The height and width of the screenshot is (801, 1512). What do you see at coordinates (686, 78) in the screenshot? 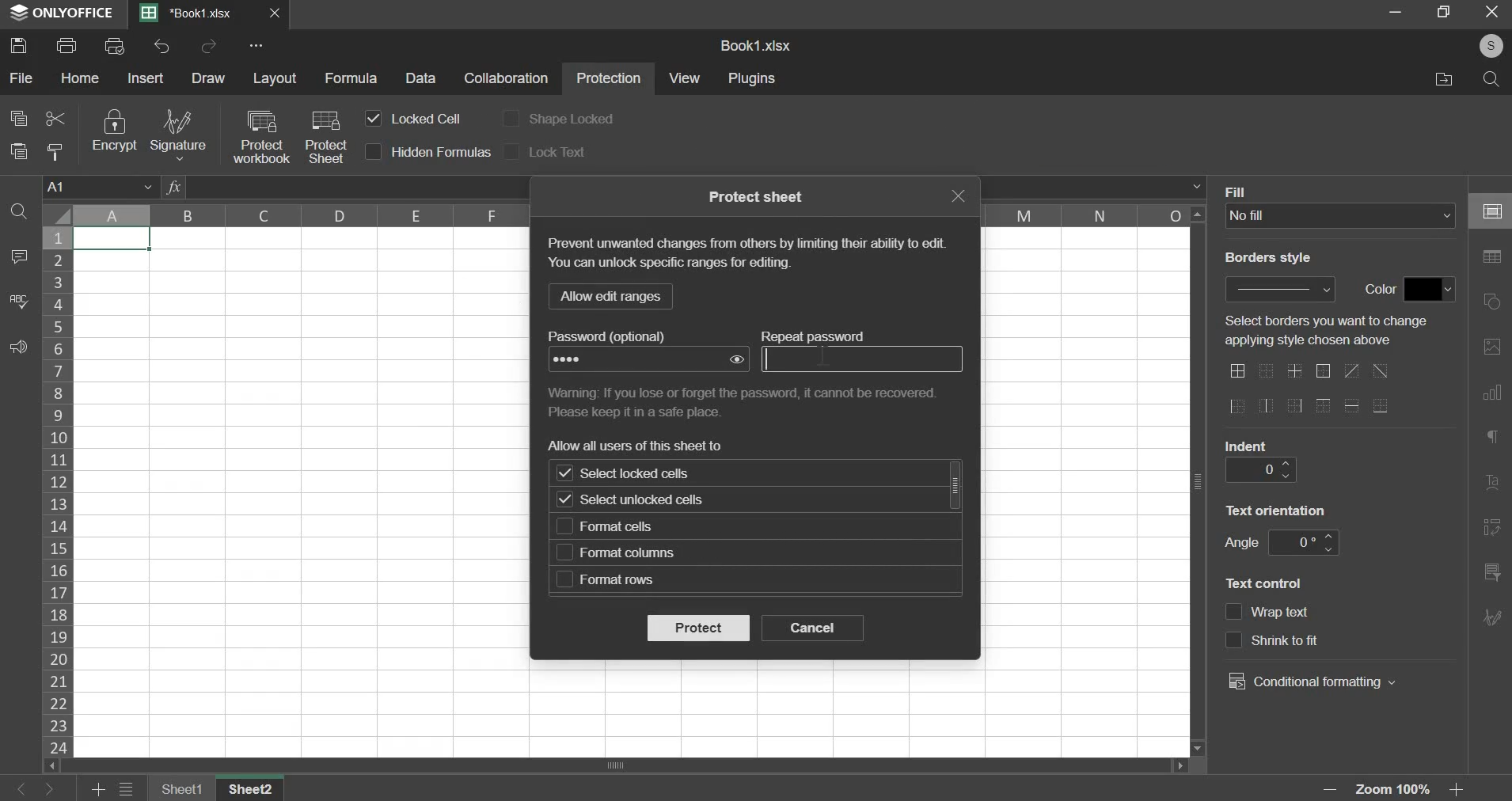
I see `view` at bounding box center [686, 78].